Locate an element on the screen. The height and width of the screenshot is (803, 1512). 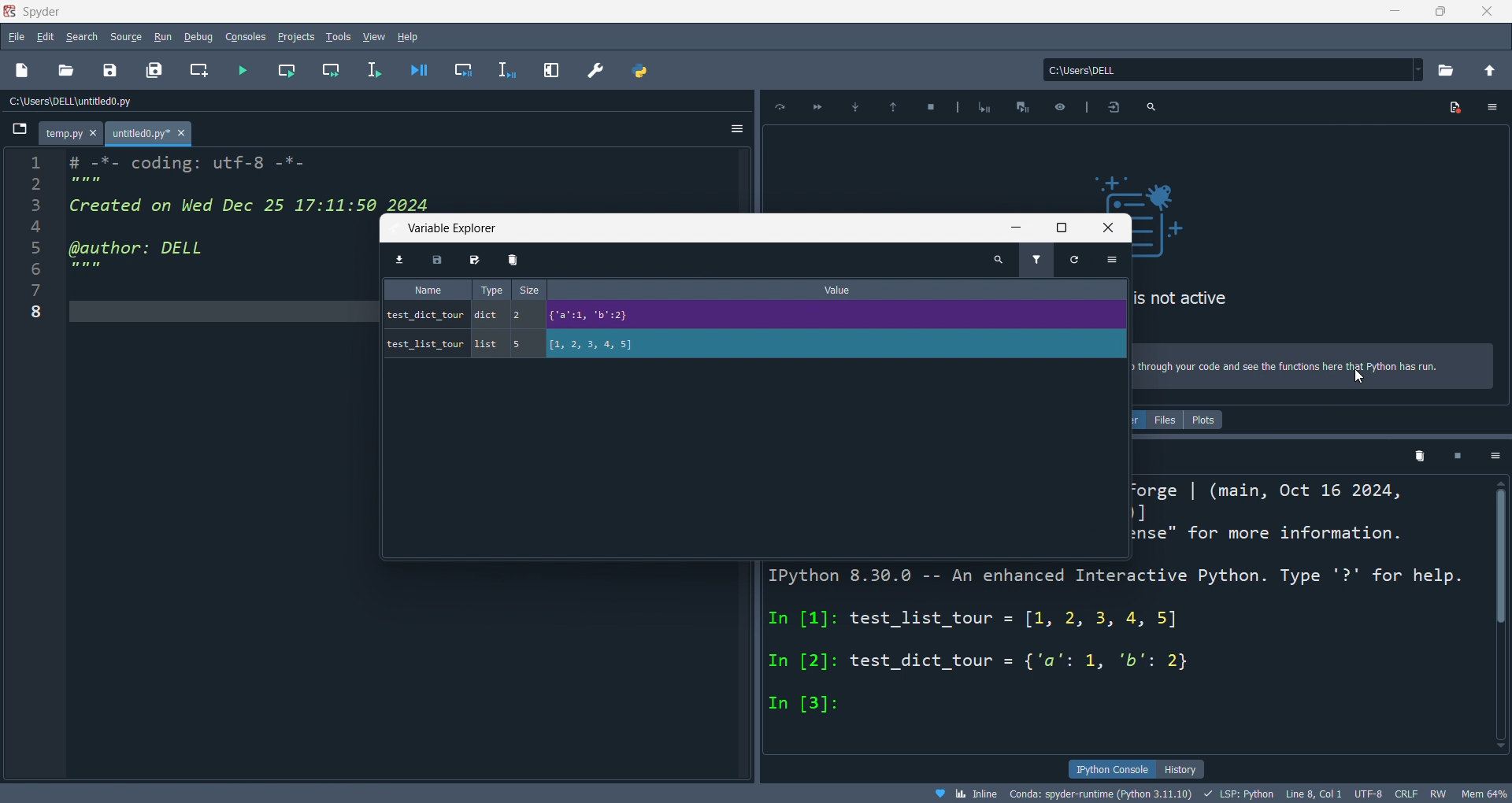
value is located at coordinates (838, 290).